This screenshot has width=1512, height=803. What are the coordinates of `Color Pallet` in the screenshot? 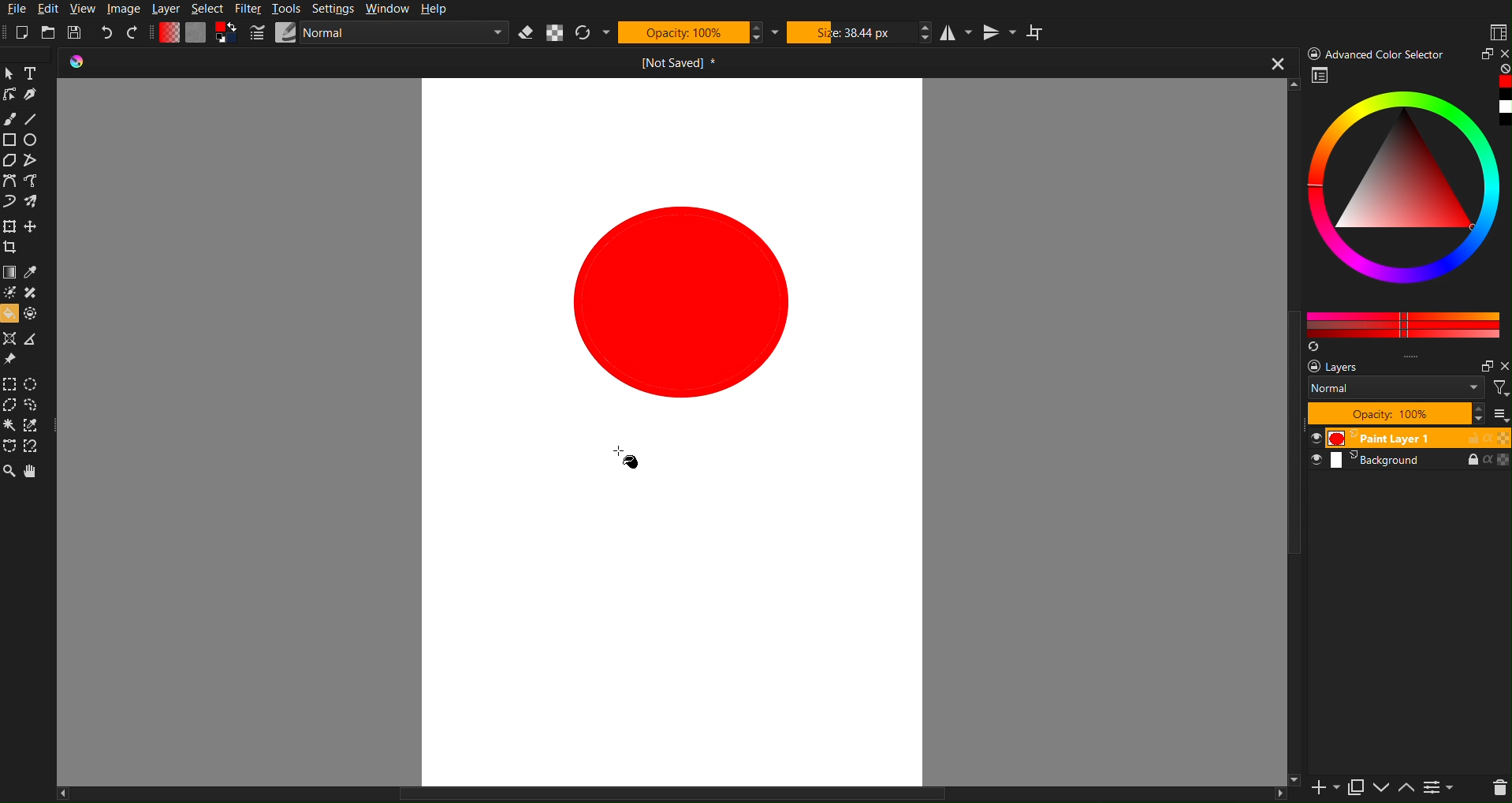 It's located at (1402, 322).